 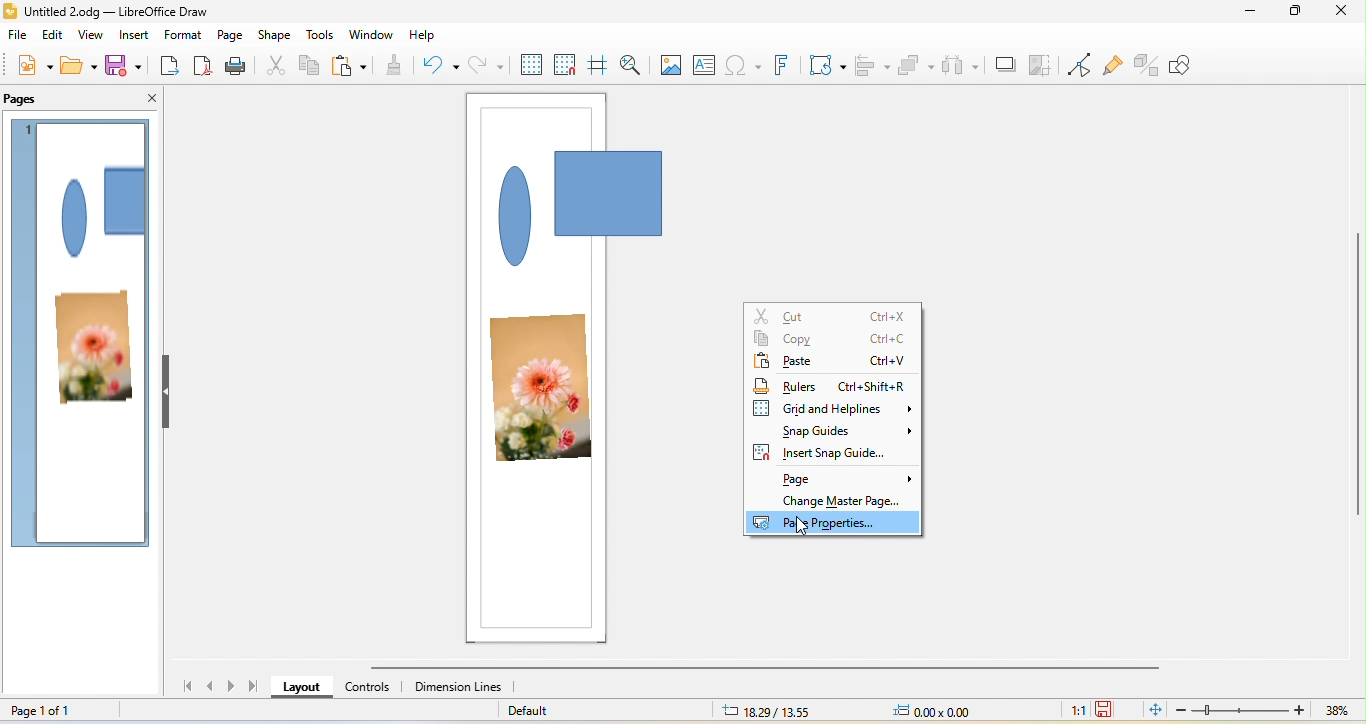 What do you see at coordinates (35, 97) in the screenshot?
I see `pages` at bounding box center [35, 97].